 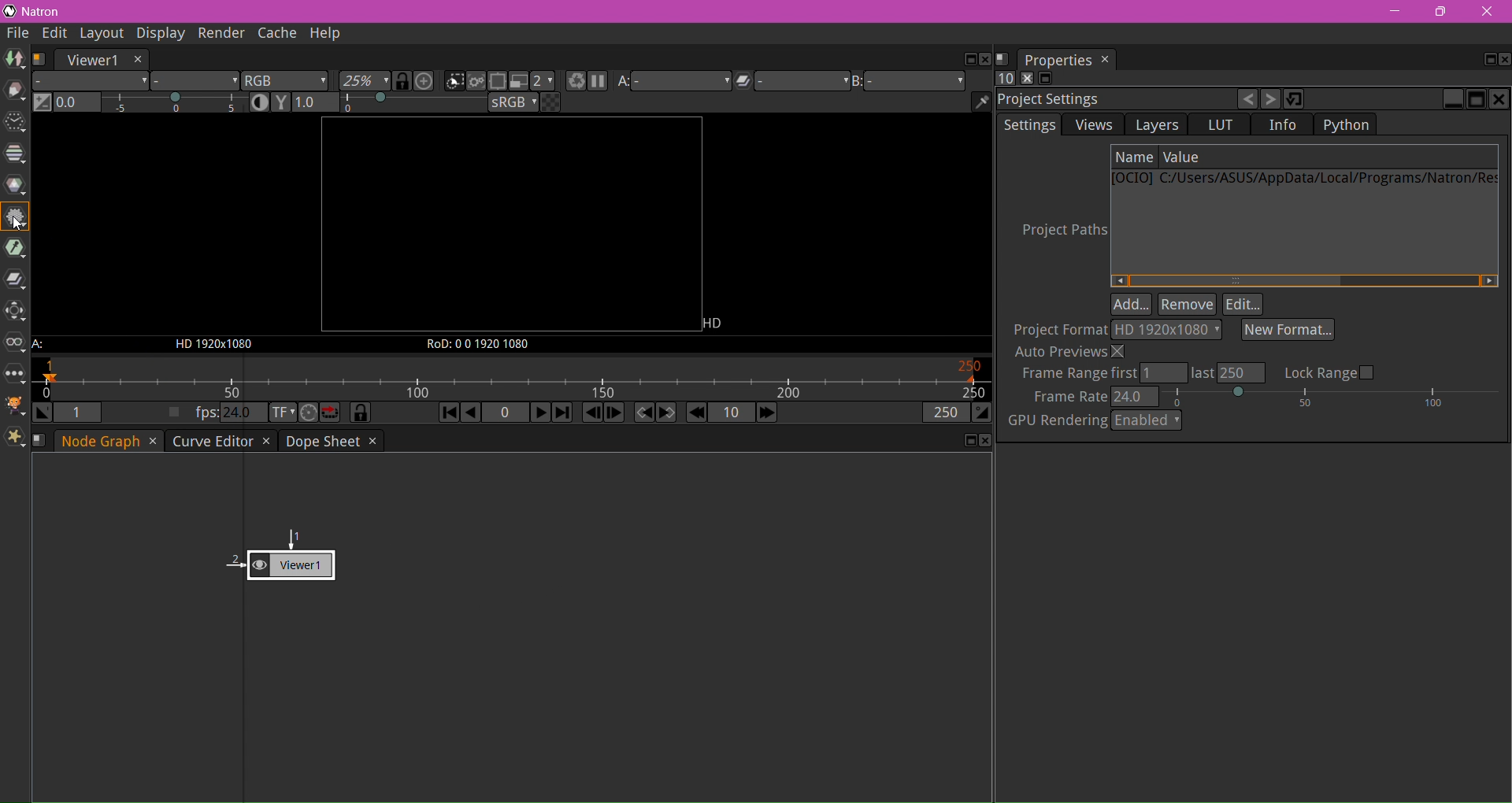 What do you see at coordinates (15, 313) in the screenshot?
I see `Transform` at bounding box center [15, 313].